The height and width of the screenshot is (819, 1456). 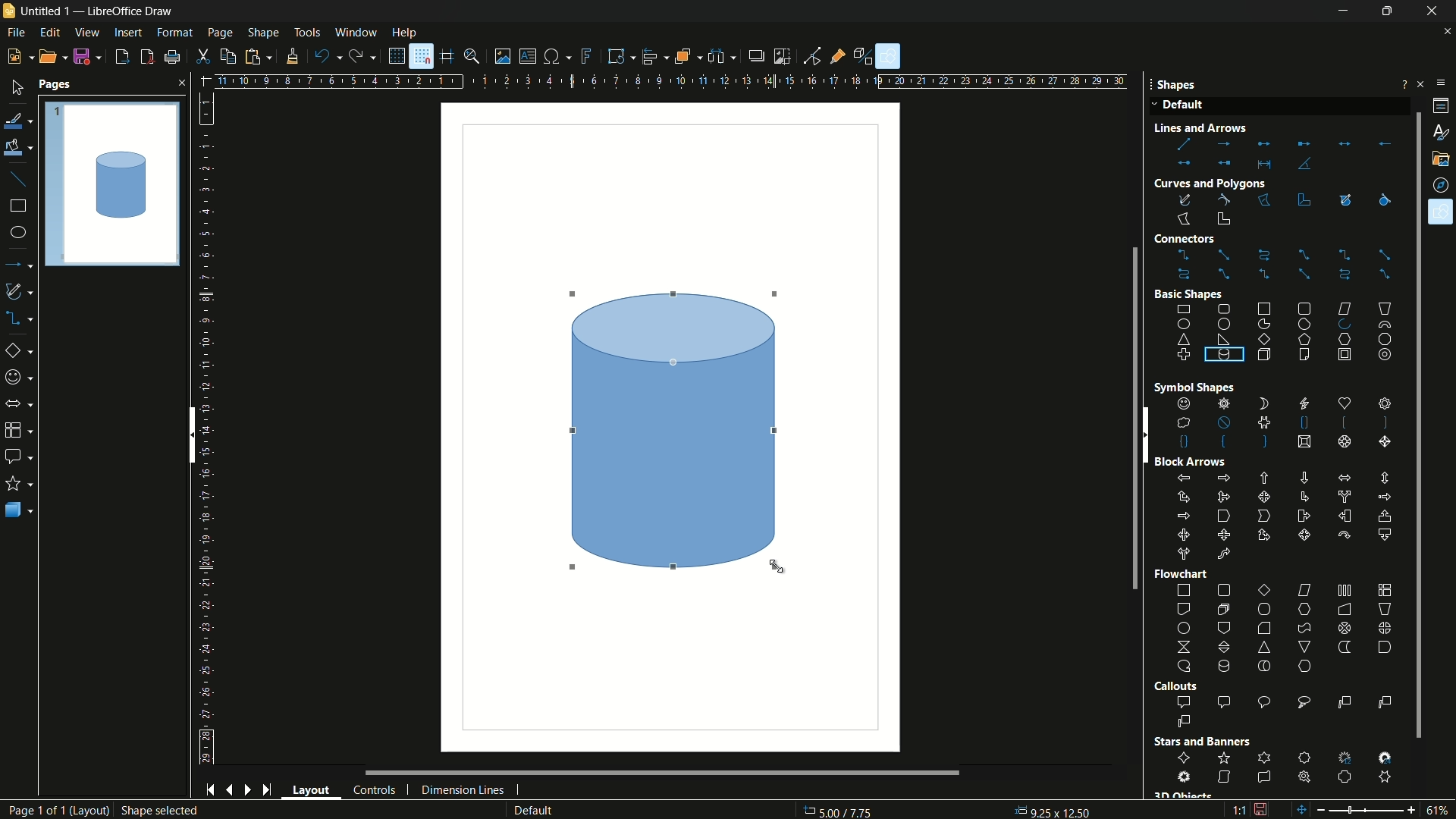 I want to click on workspace, so click(x=670, y=427).